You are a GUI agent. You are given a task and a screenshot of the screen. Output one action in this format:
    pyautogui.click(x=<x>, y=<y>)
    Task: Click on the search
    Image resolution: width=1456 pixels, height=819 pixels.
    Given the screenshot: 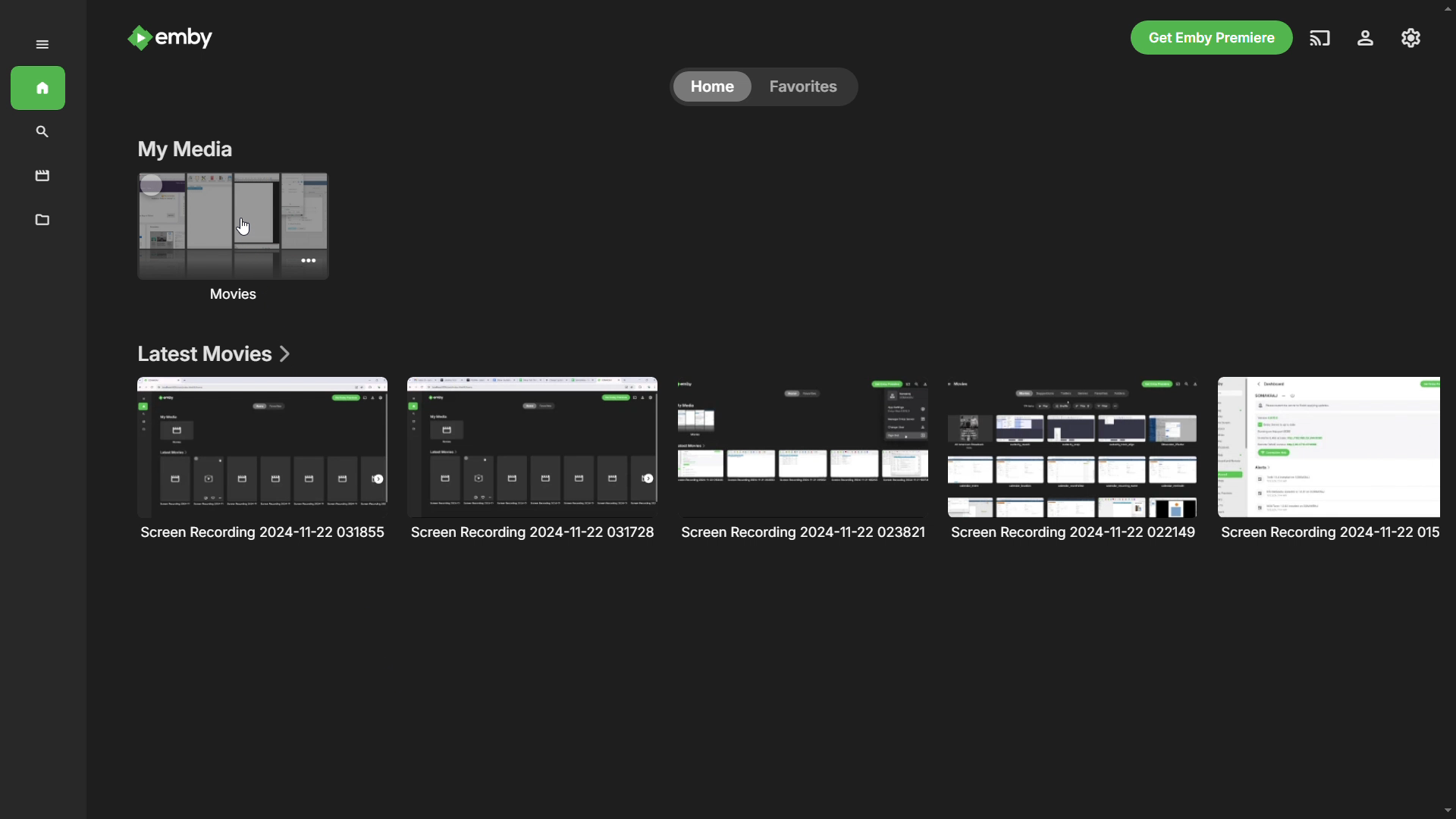 What is the action you would take?
    pyautogui.click(x=42, y=133)
    